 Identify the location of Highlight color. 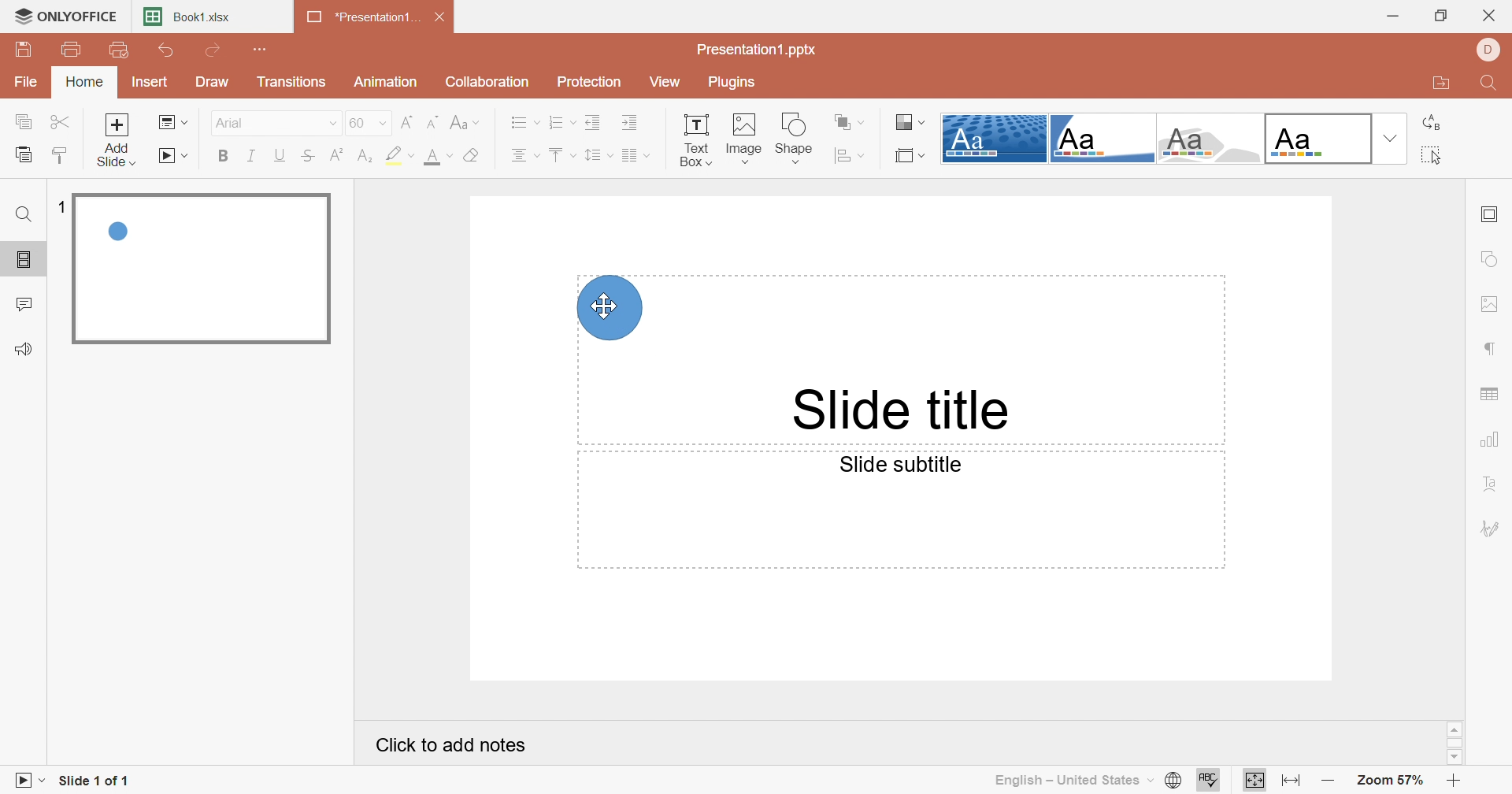
(400, 154).